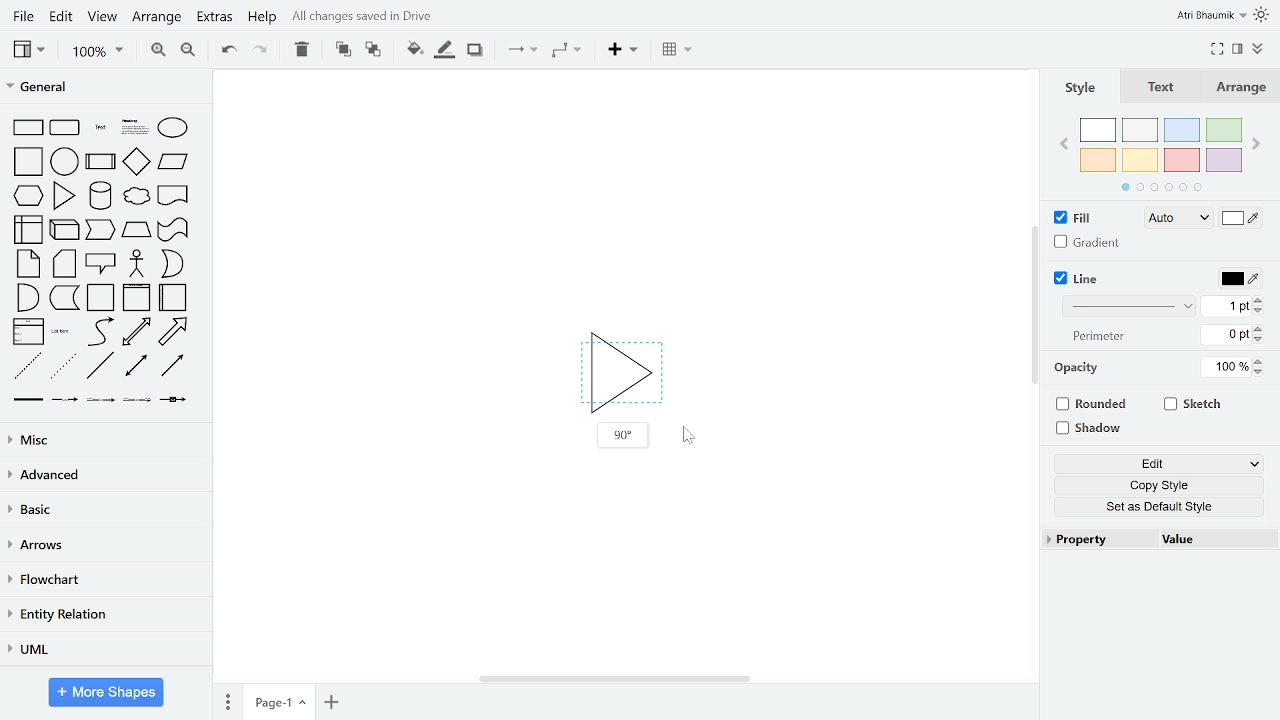 This screenshot has width=1280, height=720. What do you see at coordinates (174, 127) in the screenshot?
I see `ellipse` at bounding box center [174, 127].